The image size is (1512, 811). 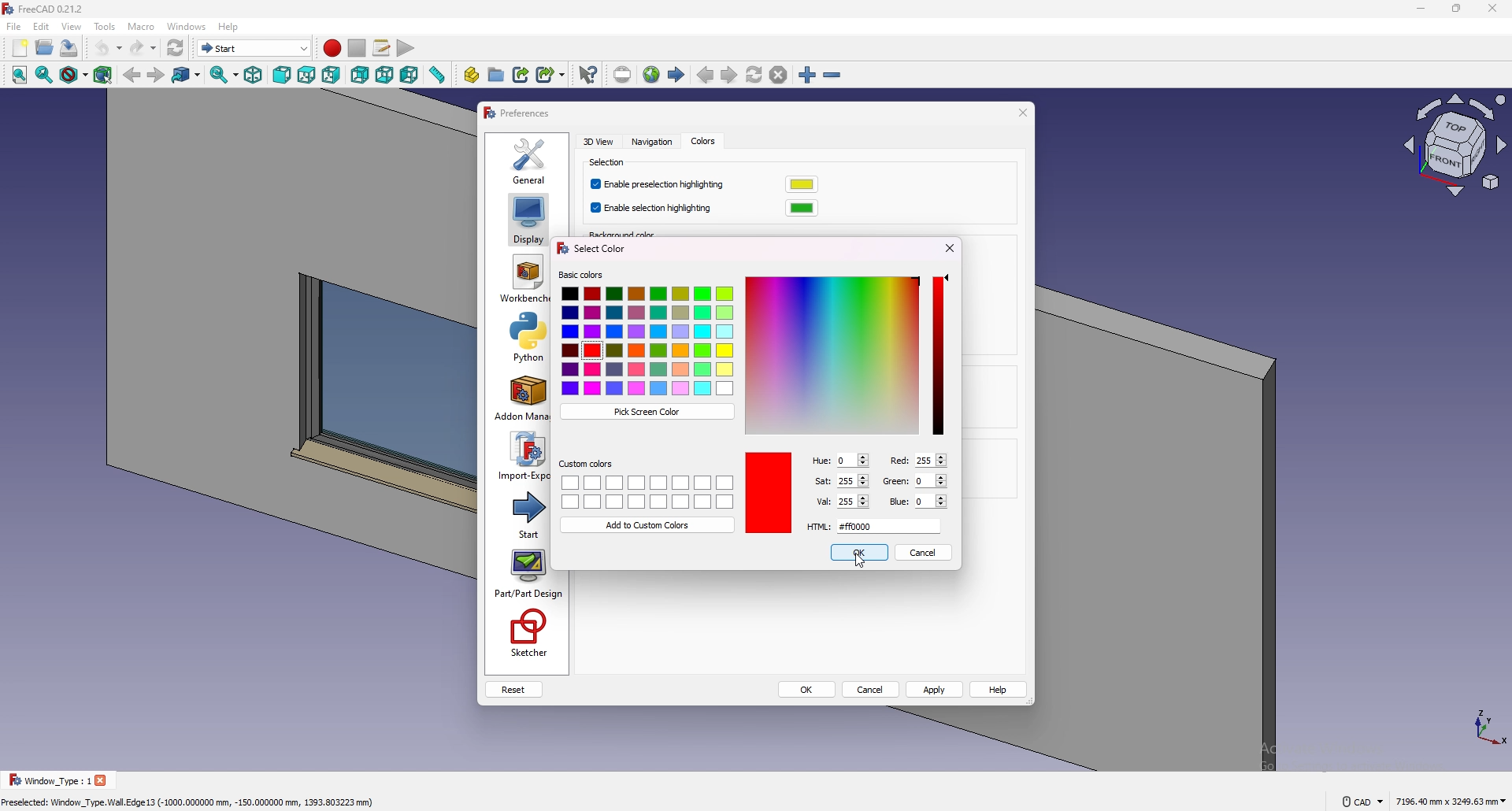 What do you see at coordinates (779, 76) in the screenshot?
I see `stop loading` at bounding box center [779, 76].